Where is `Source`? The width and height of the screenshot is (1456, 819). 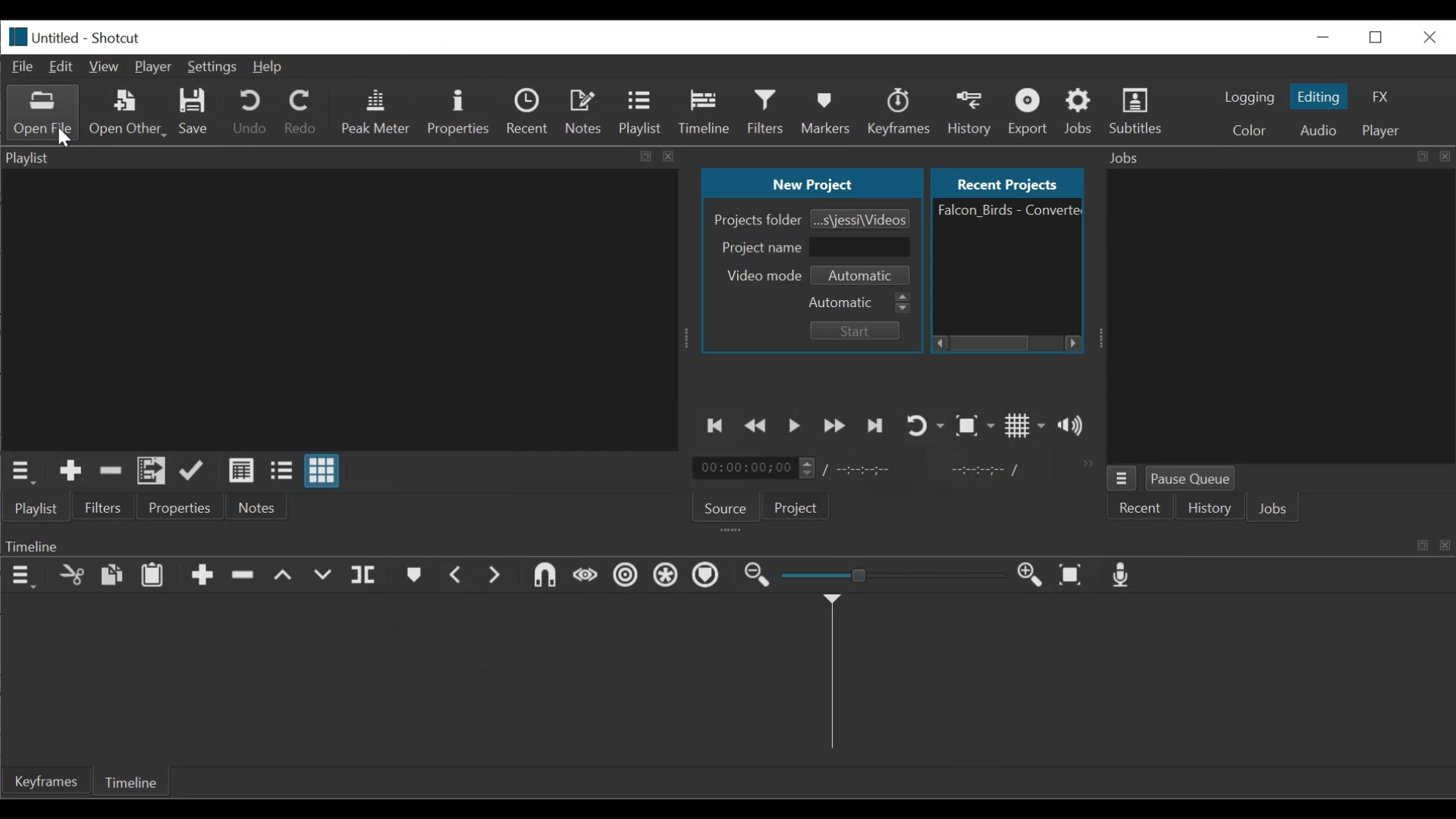
Source is located at coordinates (726, 507).